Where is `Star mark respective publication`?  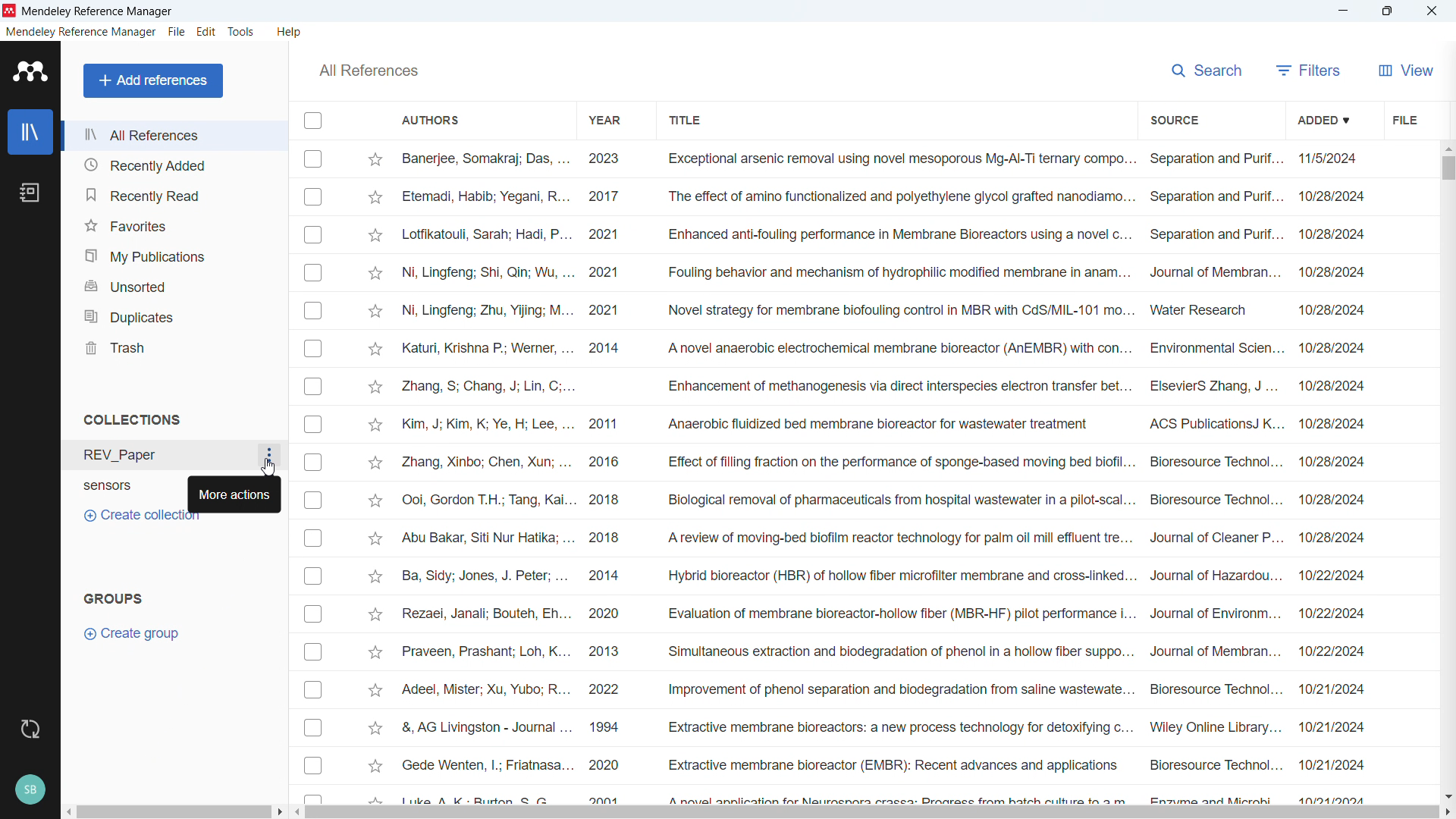
Star mark respective publication is located at coordinates (375, 463).